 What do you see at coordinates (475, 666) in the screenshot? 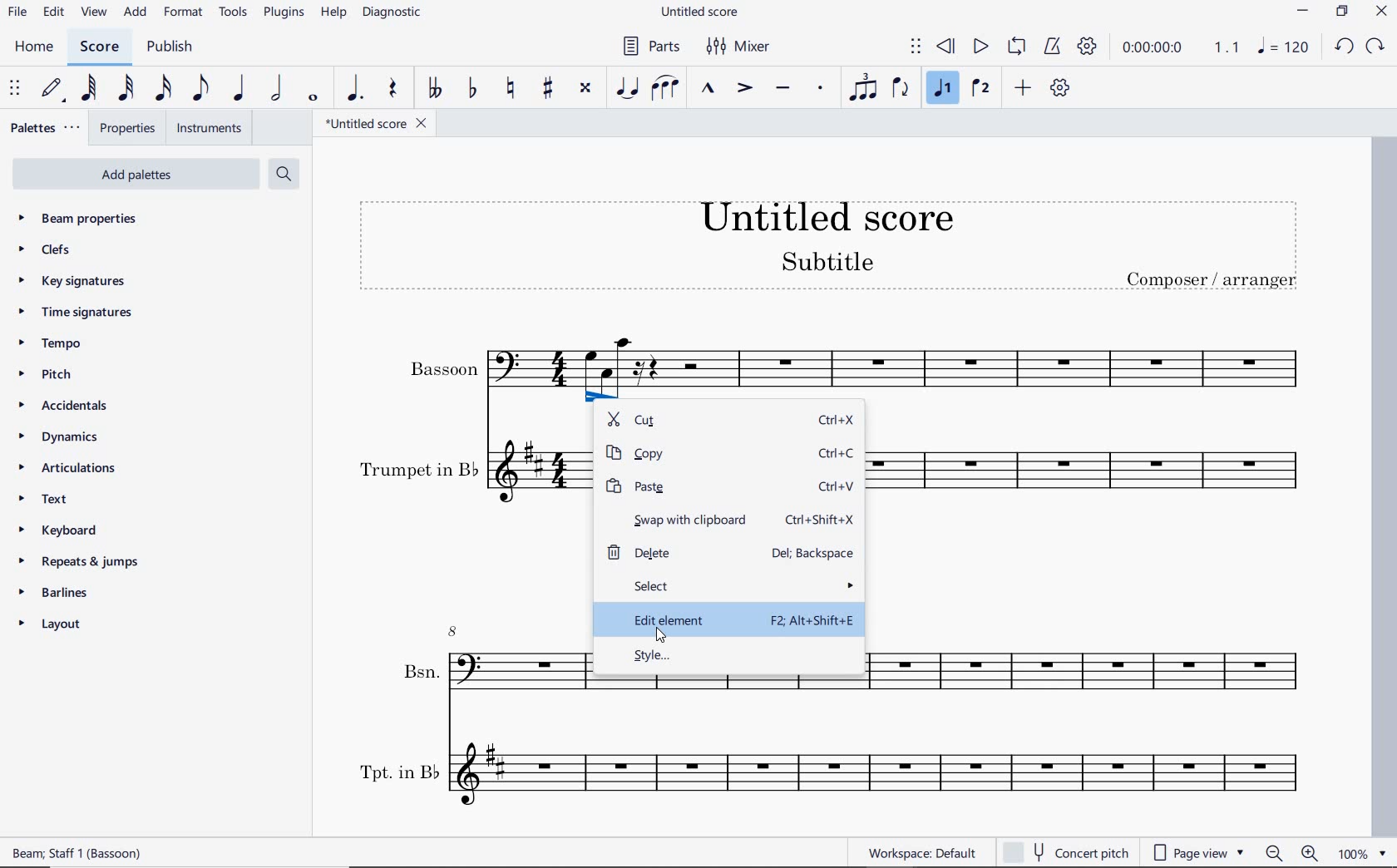
I see `Bsn.` at bounding box center [475, 666].